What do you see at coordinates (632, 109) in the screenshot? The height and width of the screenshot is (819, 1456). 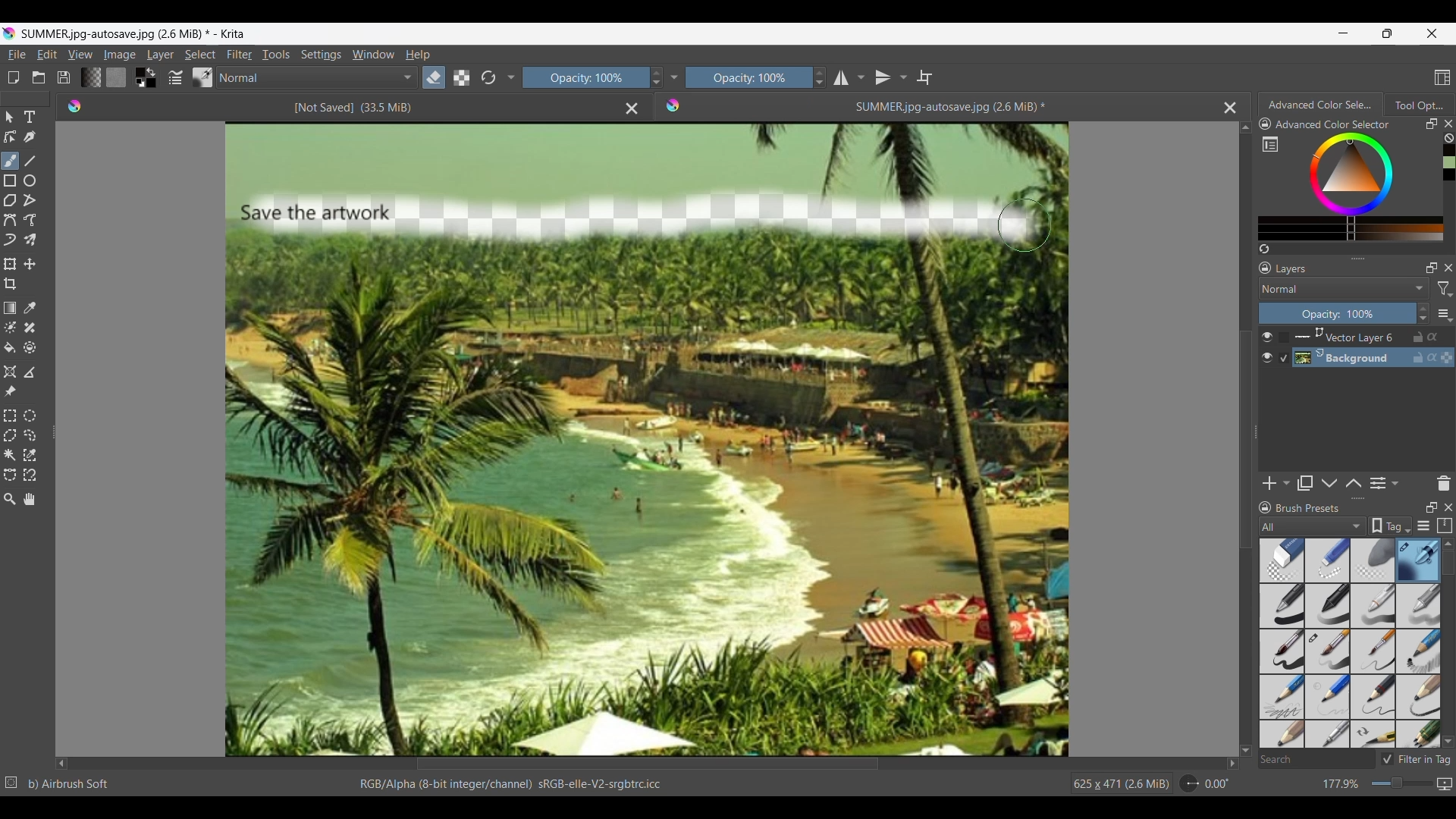 I see `Close` at bounding box center [632, 109].